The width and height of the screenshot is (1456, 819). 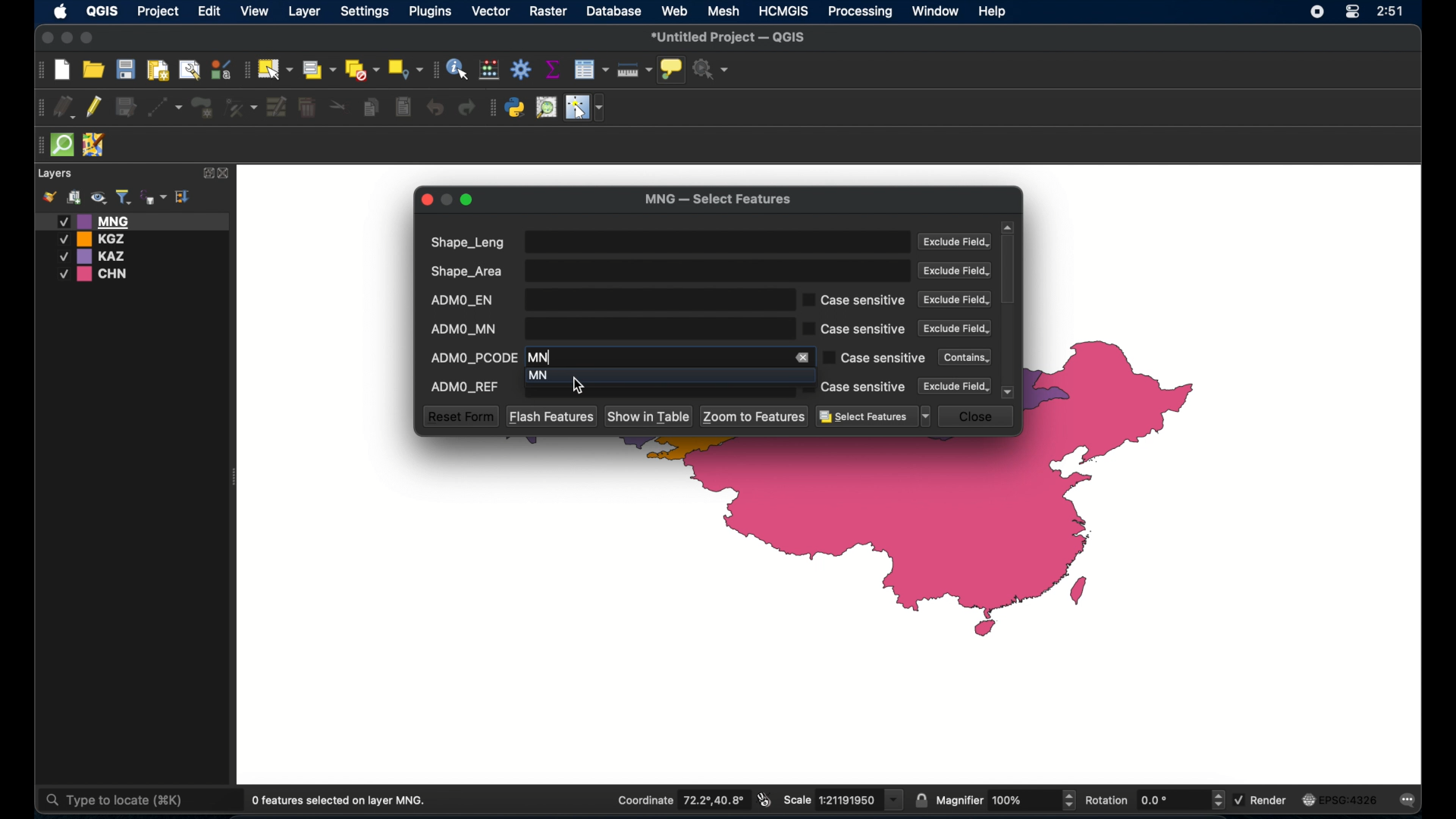 I want to click on case sensitive, so click(x=855, y=330).